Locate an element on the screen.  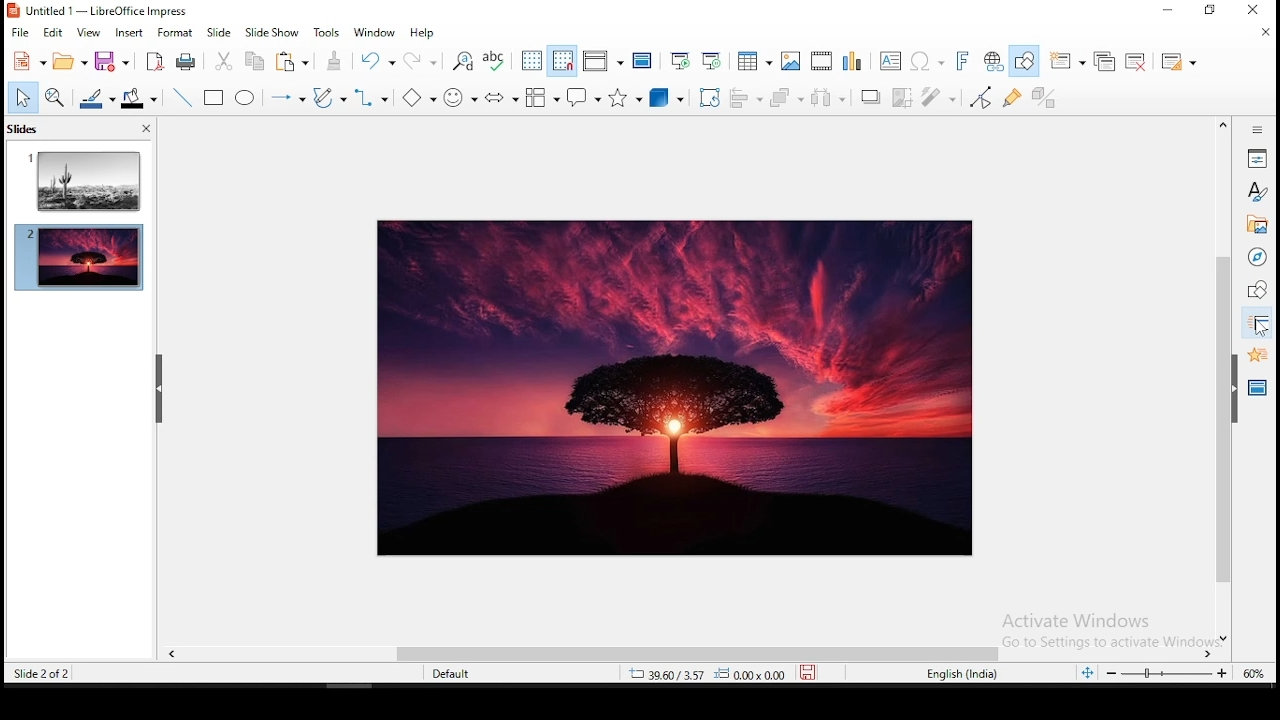
paste is located at coordinates (339, 61).